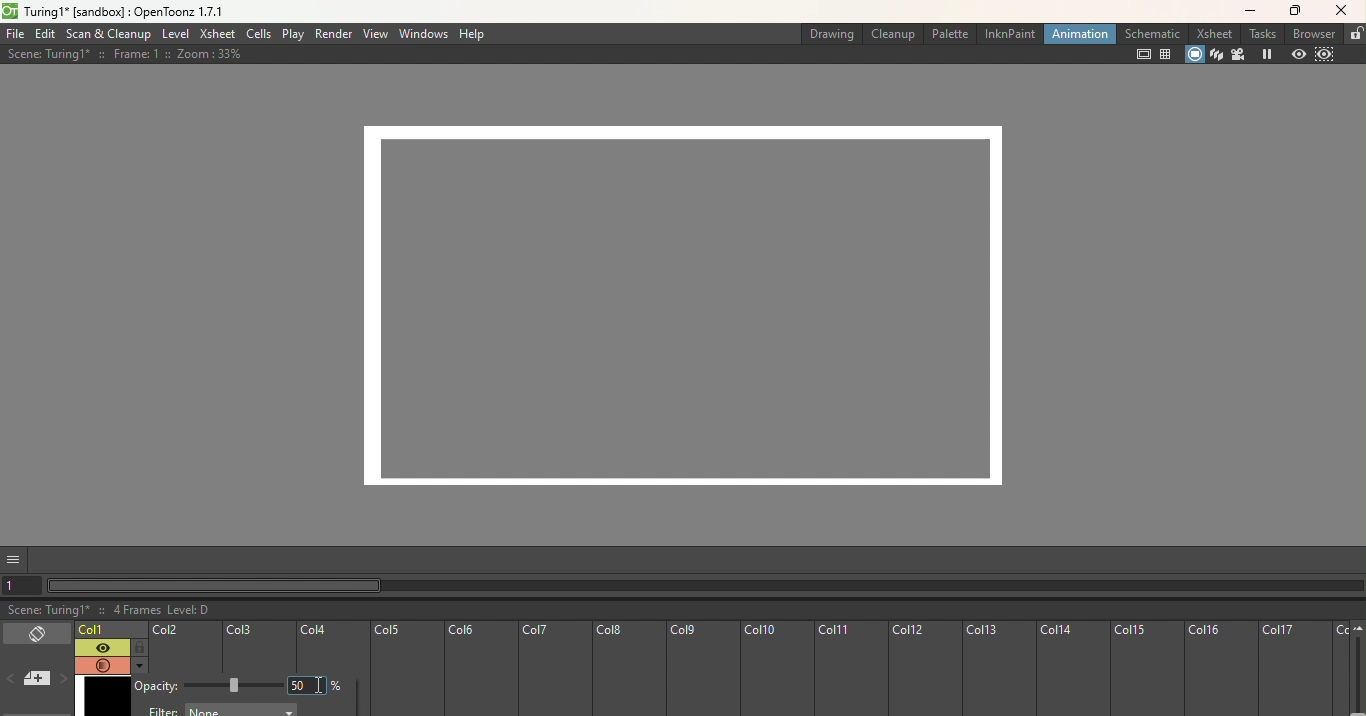 The height and width of the screenshot is (716, 1366). I want to click on Next memo, so click(61, 680).